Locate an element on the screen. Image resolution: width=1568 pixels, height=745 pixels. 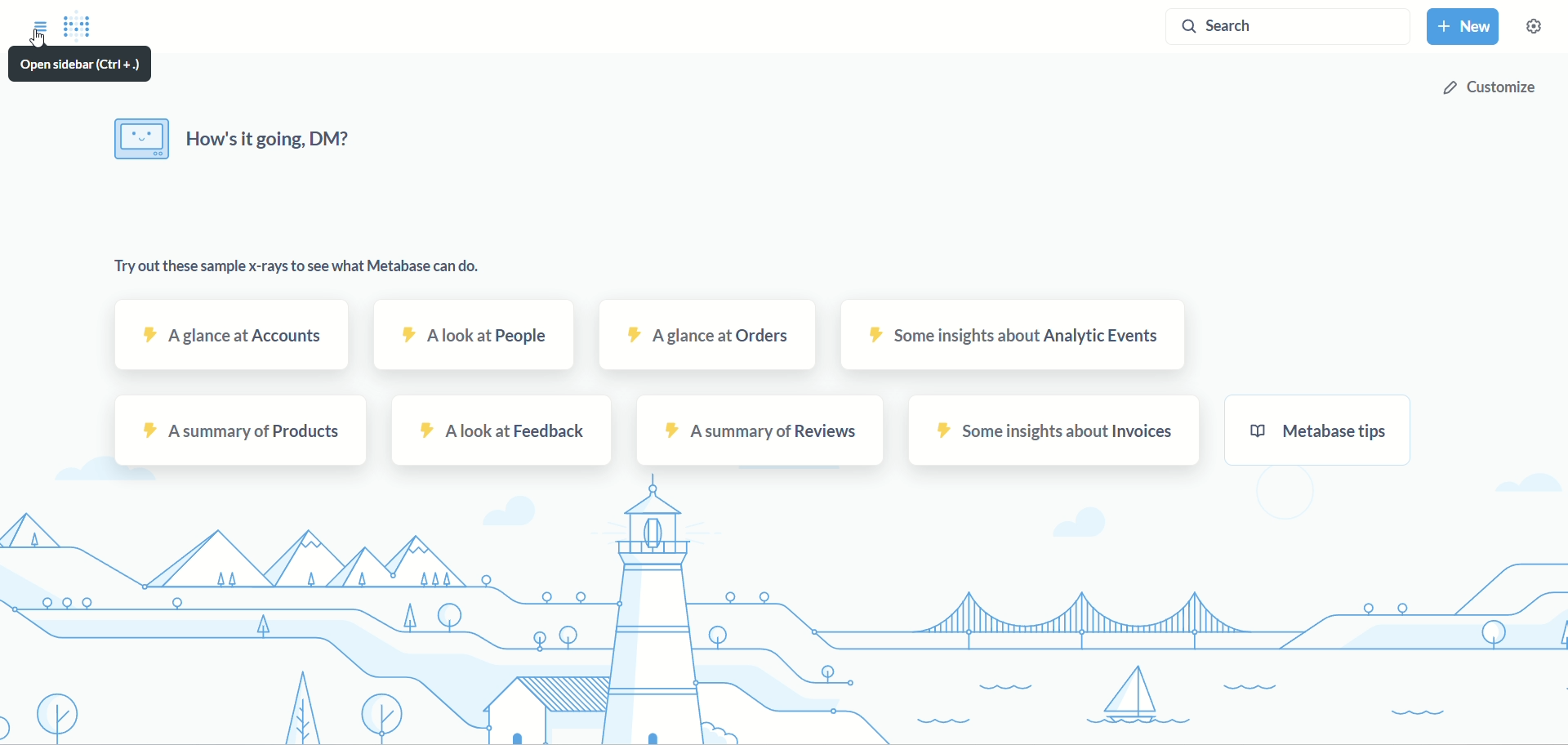
a glance at orders is located at coordinates (709, 333).